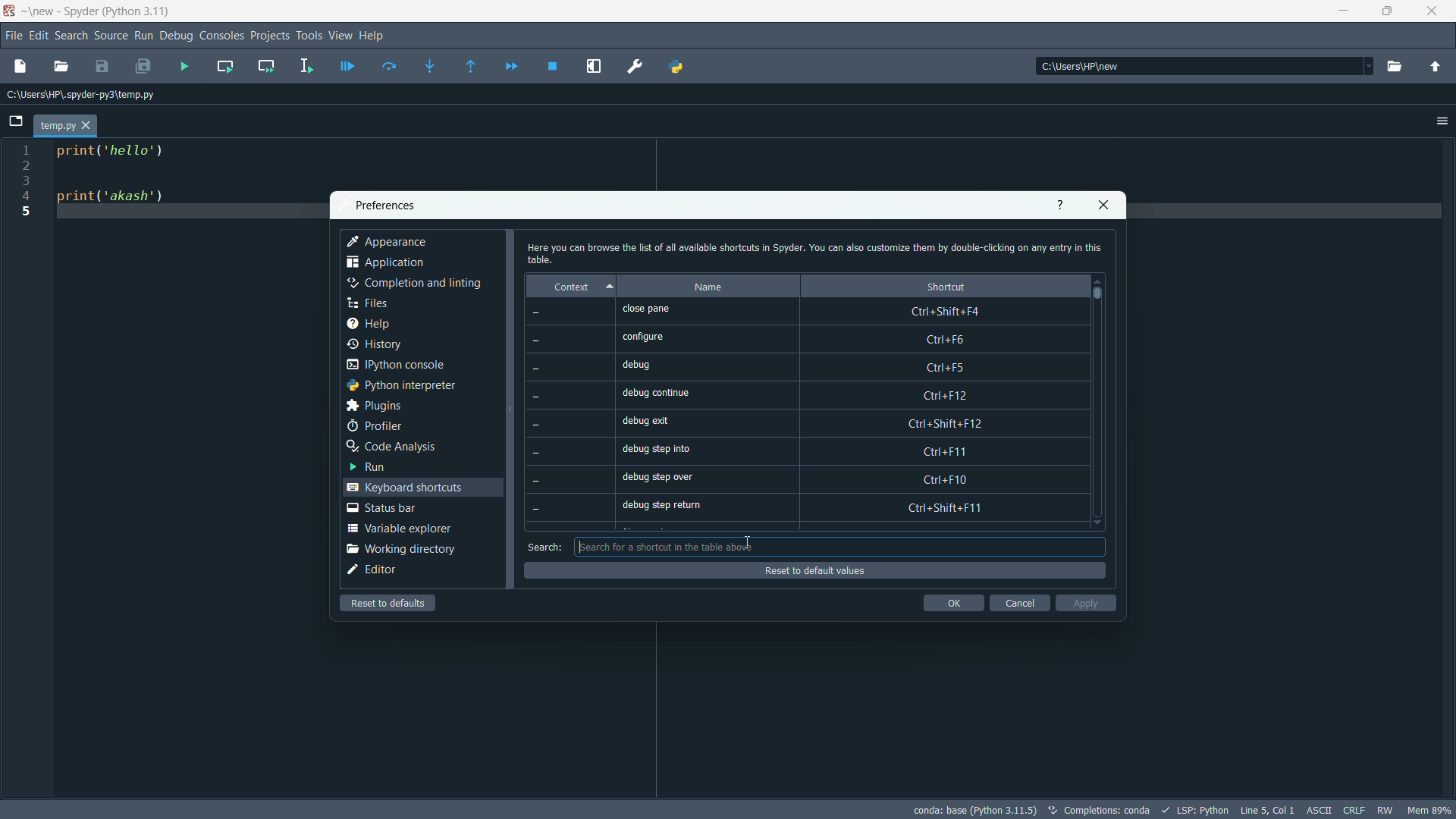  Describe the element at coordinates (384, 262) in the screenshot. I see `application` at that location.